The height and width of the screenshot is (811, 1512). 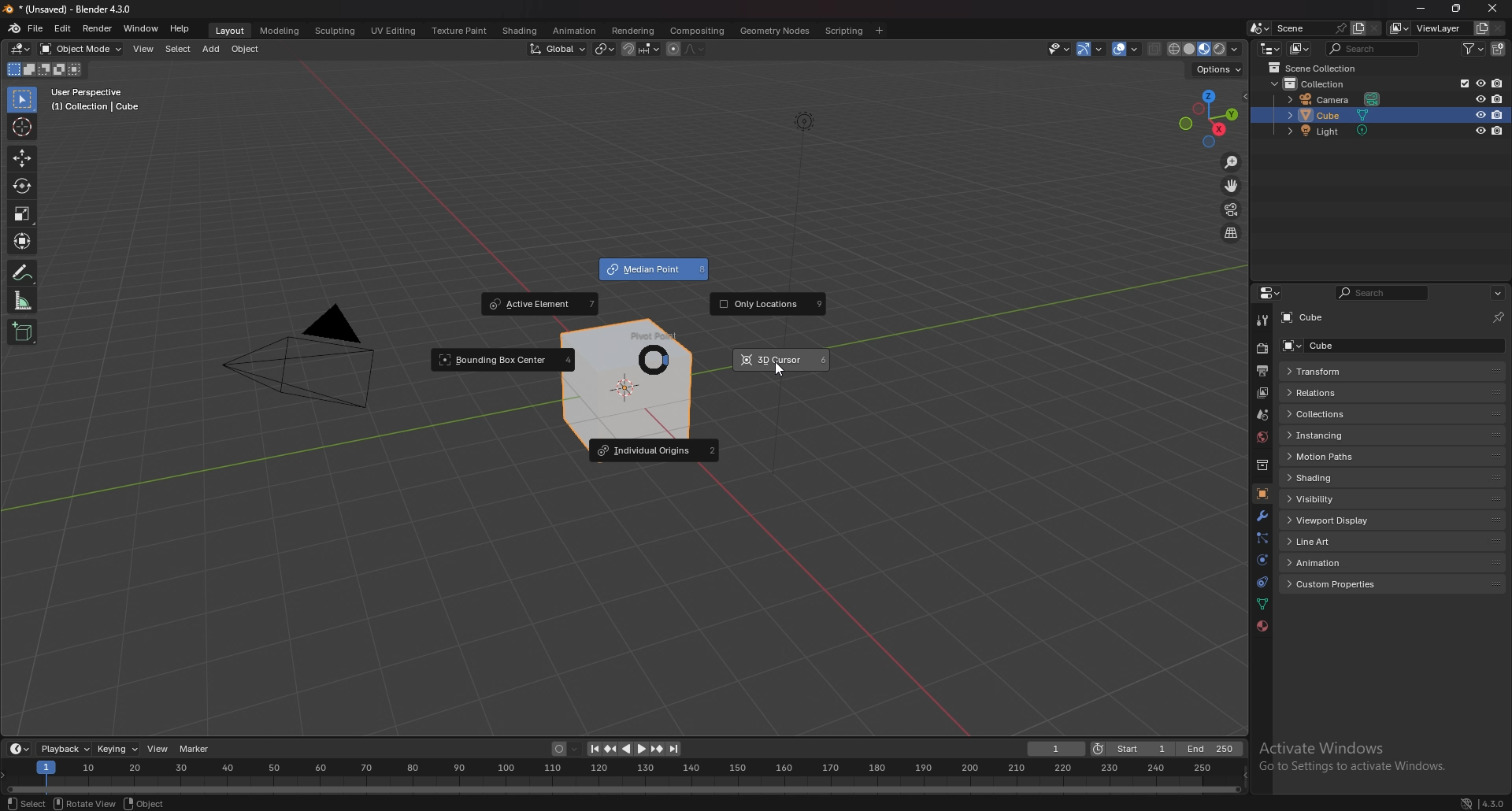 I want to click on sculpting, so click(x=335, y=30).